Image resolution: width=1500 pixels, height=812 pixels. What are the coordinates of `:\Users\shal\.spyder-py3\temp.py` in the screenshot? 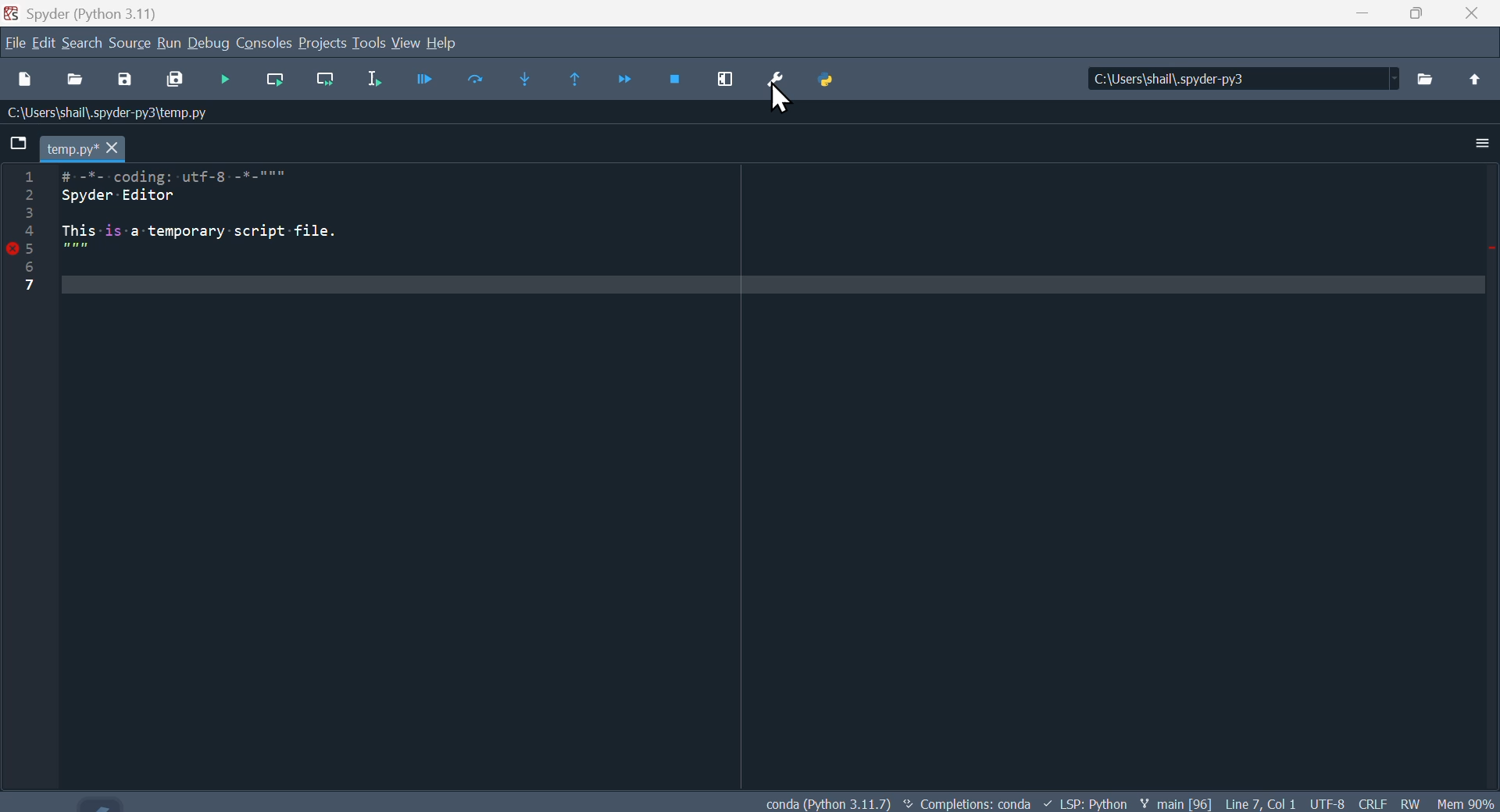 It's located at (114, 112).